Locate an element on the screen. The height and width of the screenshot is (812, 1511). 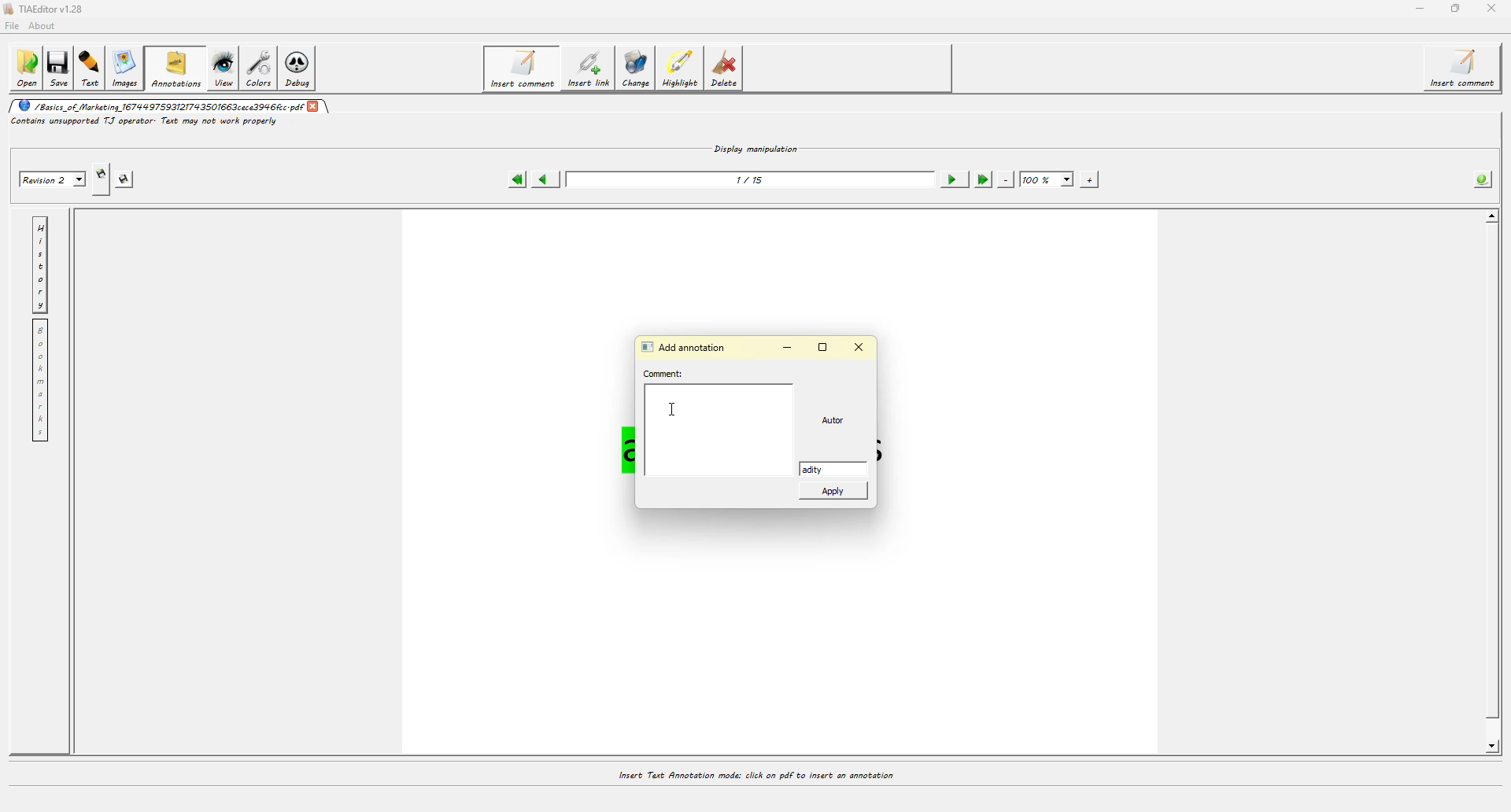
100% is located at coordinates (1047, 180).